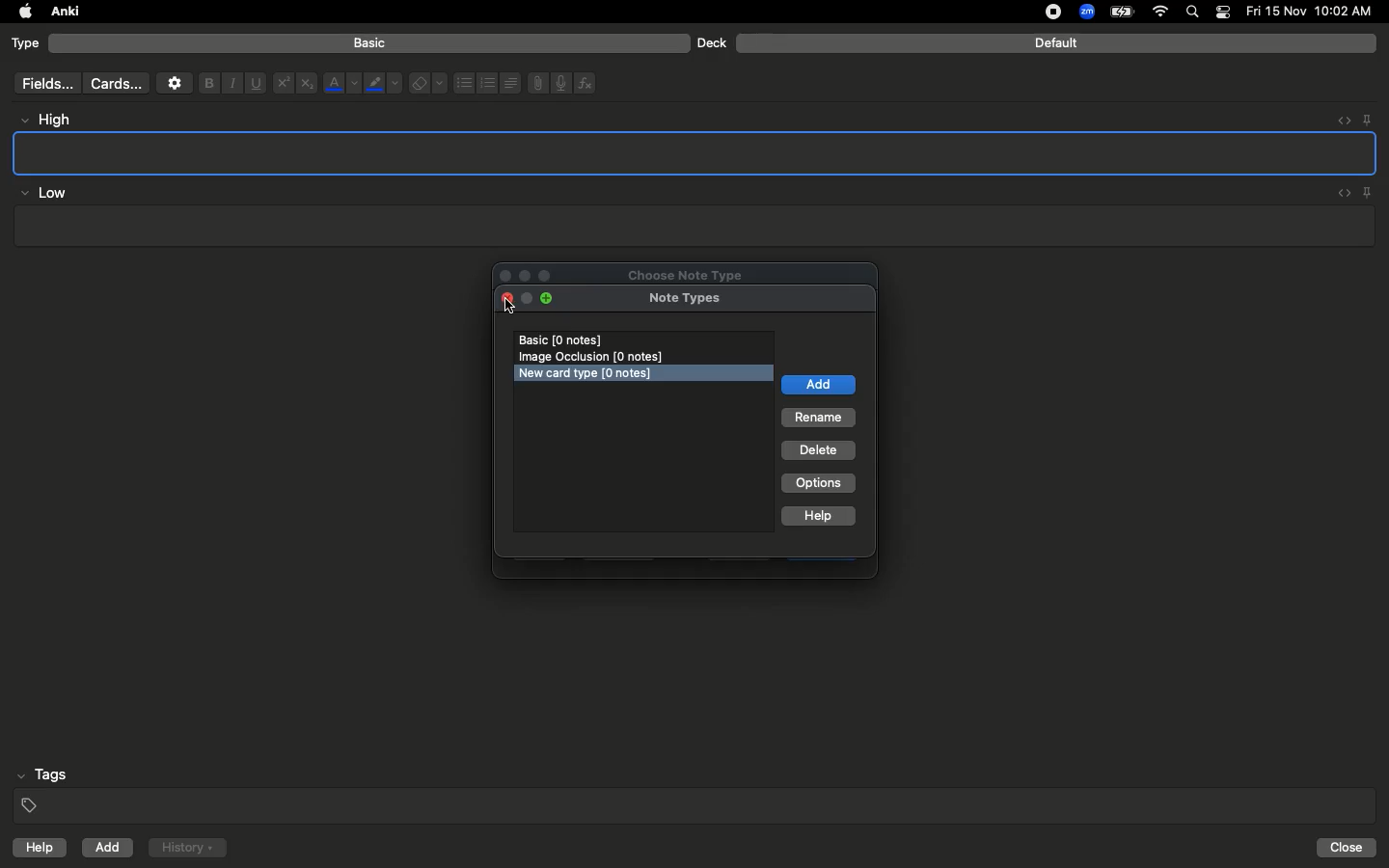 The image size is (1389, 868). I want to click on Cards, so click(116, 84).